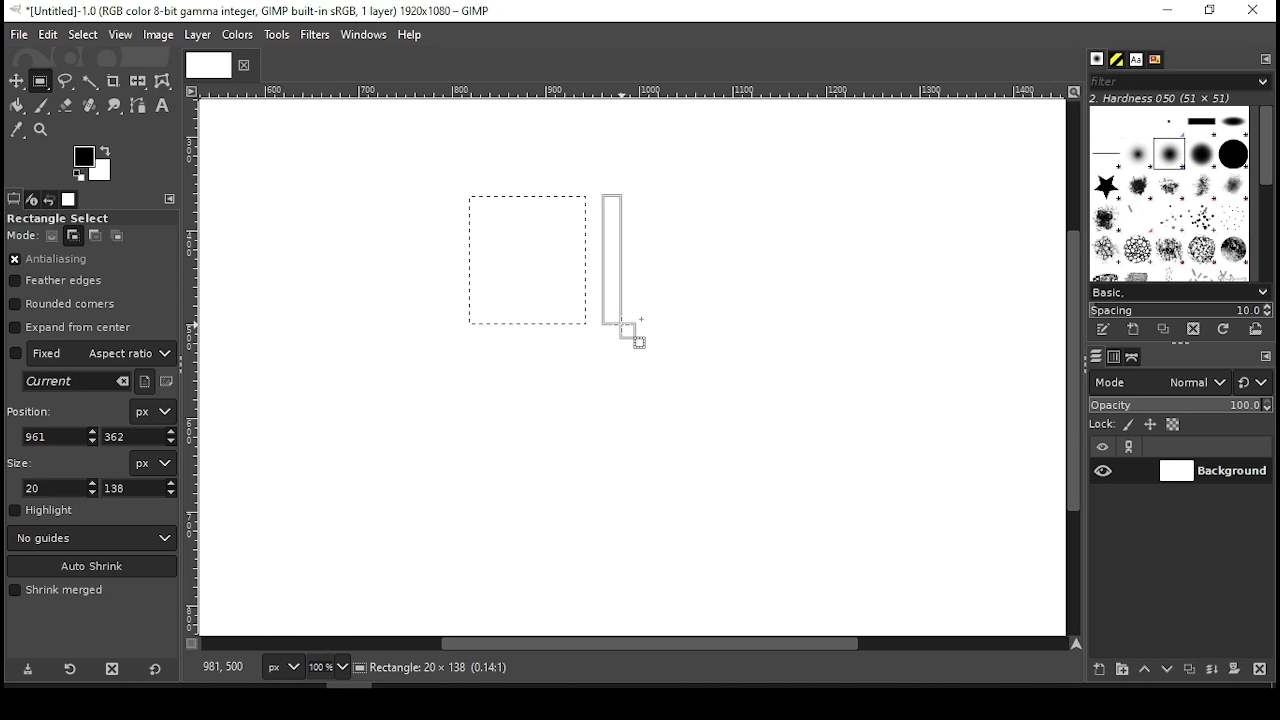 The width and height of the screenshot is (1280, 720). Describe the element at coordinates (242, 65) in the screenshot. I see `close` at that location.